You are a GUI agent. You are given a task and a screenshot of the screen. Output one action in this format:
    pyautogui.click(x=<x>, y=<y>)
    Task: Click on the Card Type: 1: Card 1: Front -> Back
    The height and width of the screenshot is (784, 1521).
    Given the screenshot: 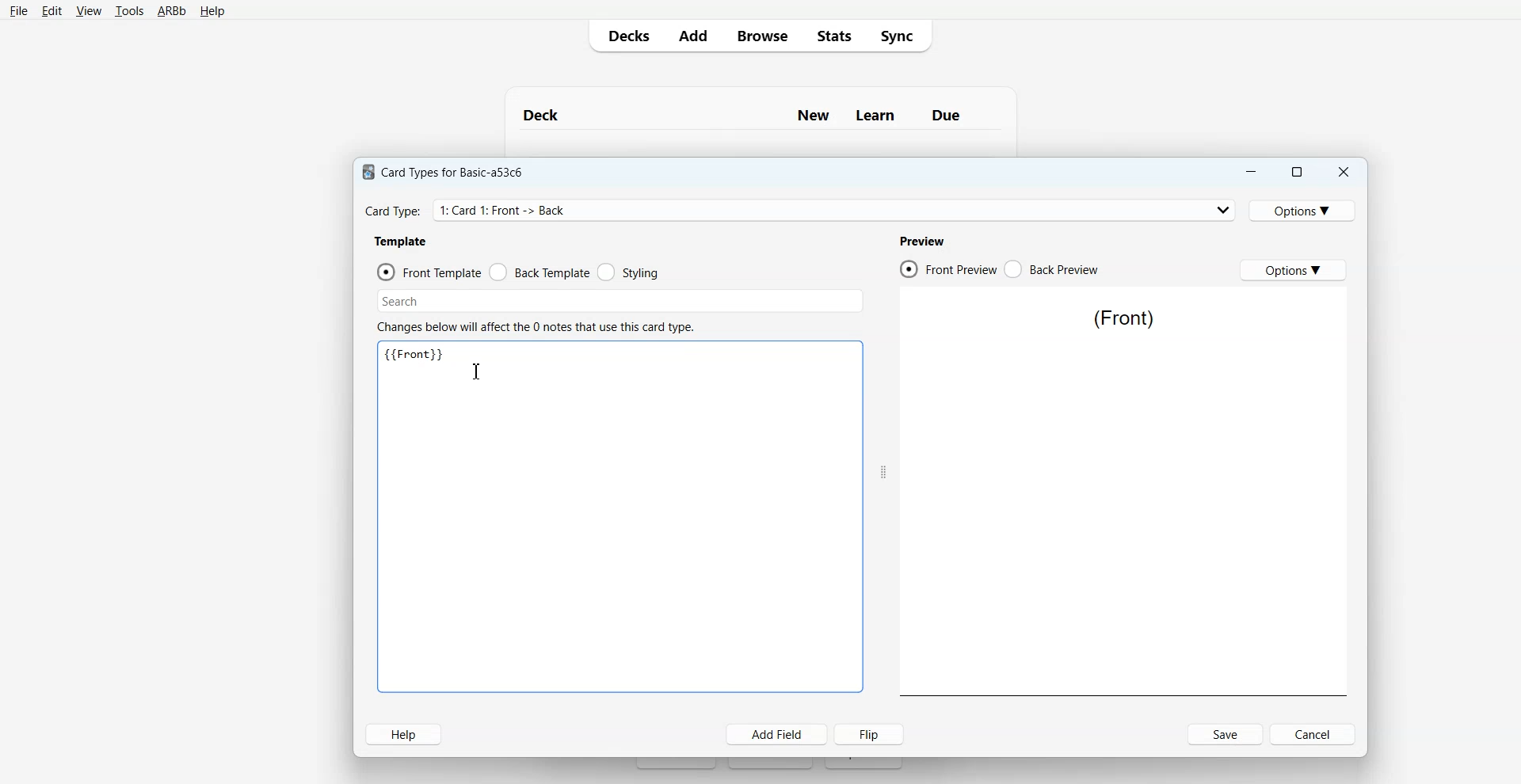 What is the action you would take?
    pyautogui.click(x=509, y=210)
    